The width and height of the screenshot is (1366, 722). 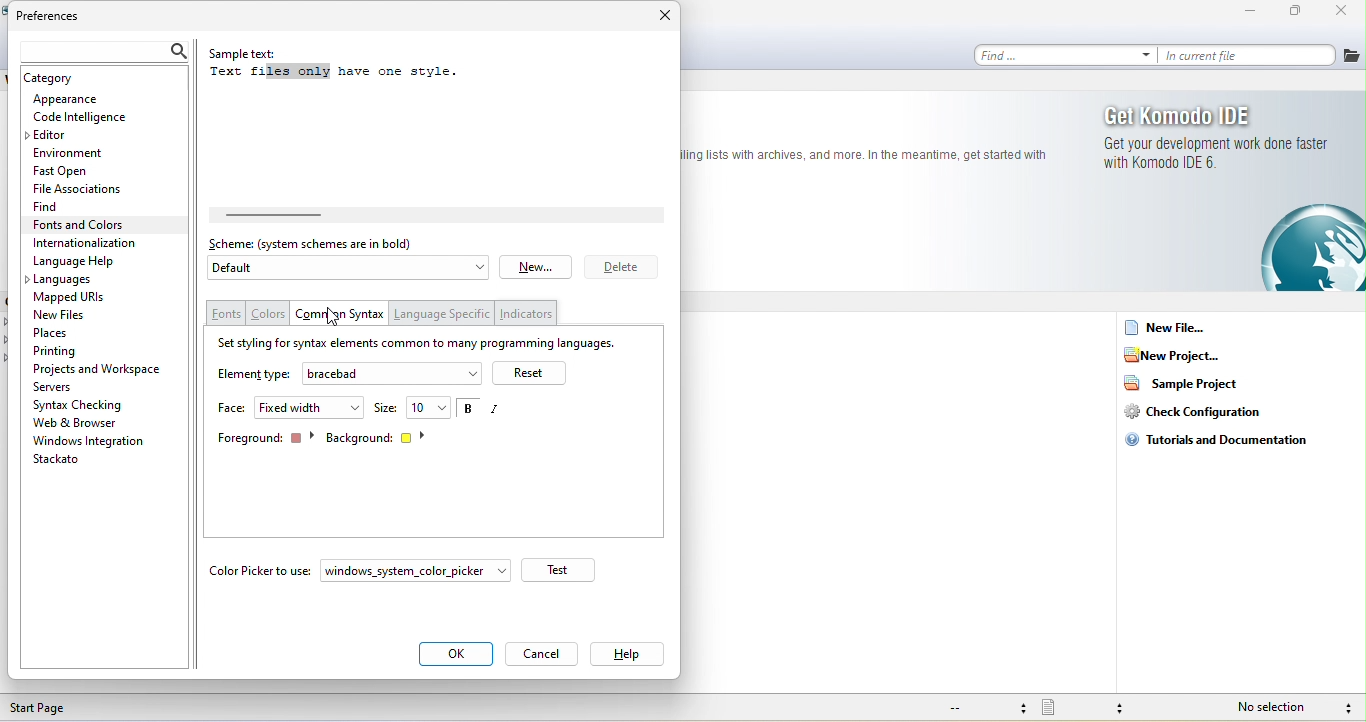 I want to click on appearance, so click(x=86, y=98).